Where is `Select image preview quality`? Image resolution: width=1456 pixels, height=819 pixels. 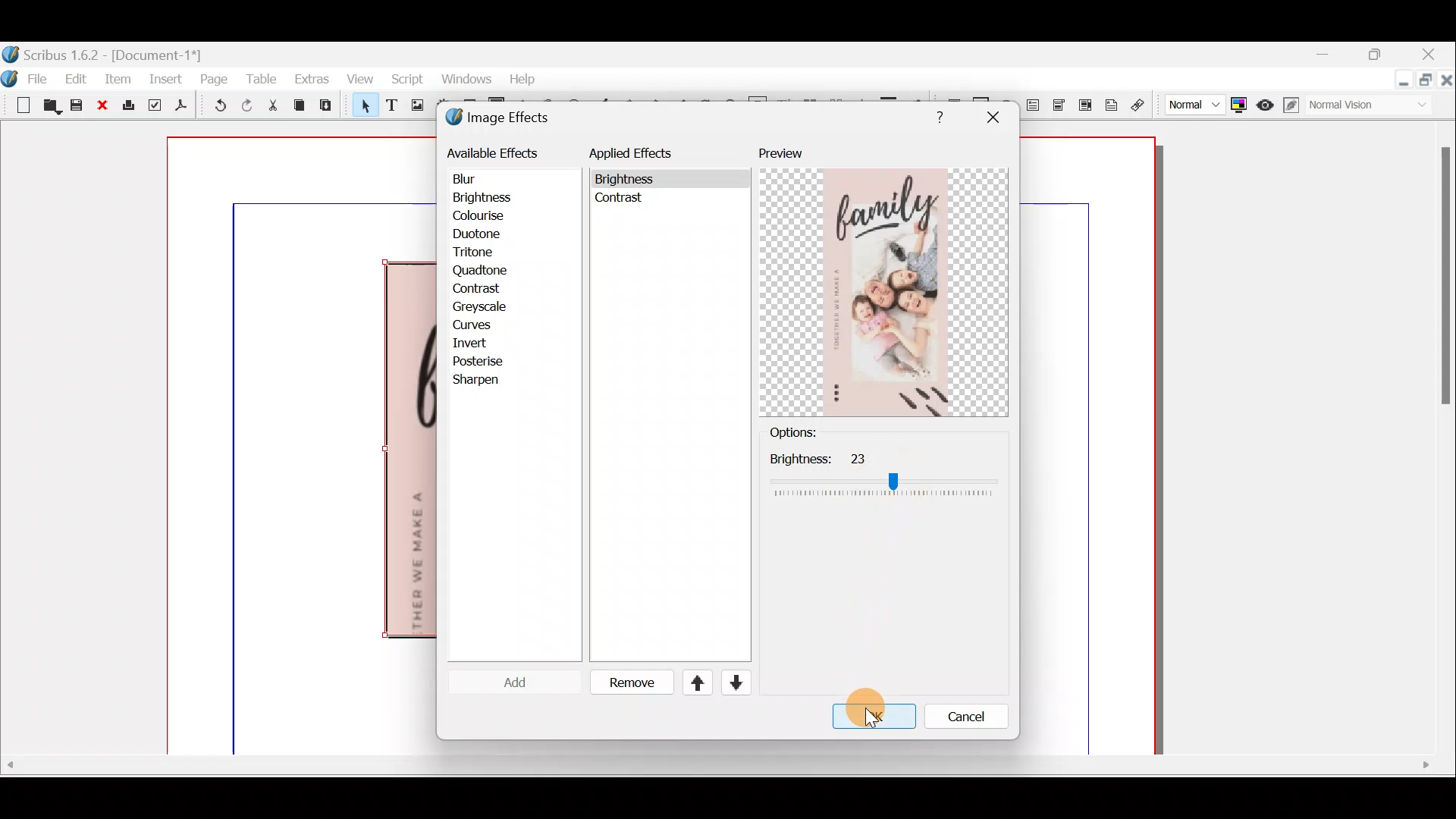 Select image preview quality is located at coordinates (1191, 102).